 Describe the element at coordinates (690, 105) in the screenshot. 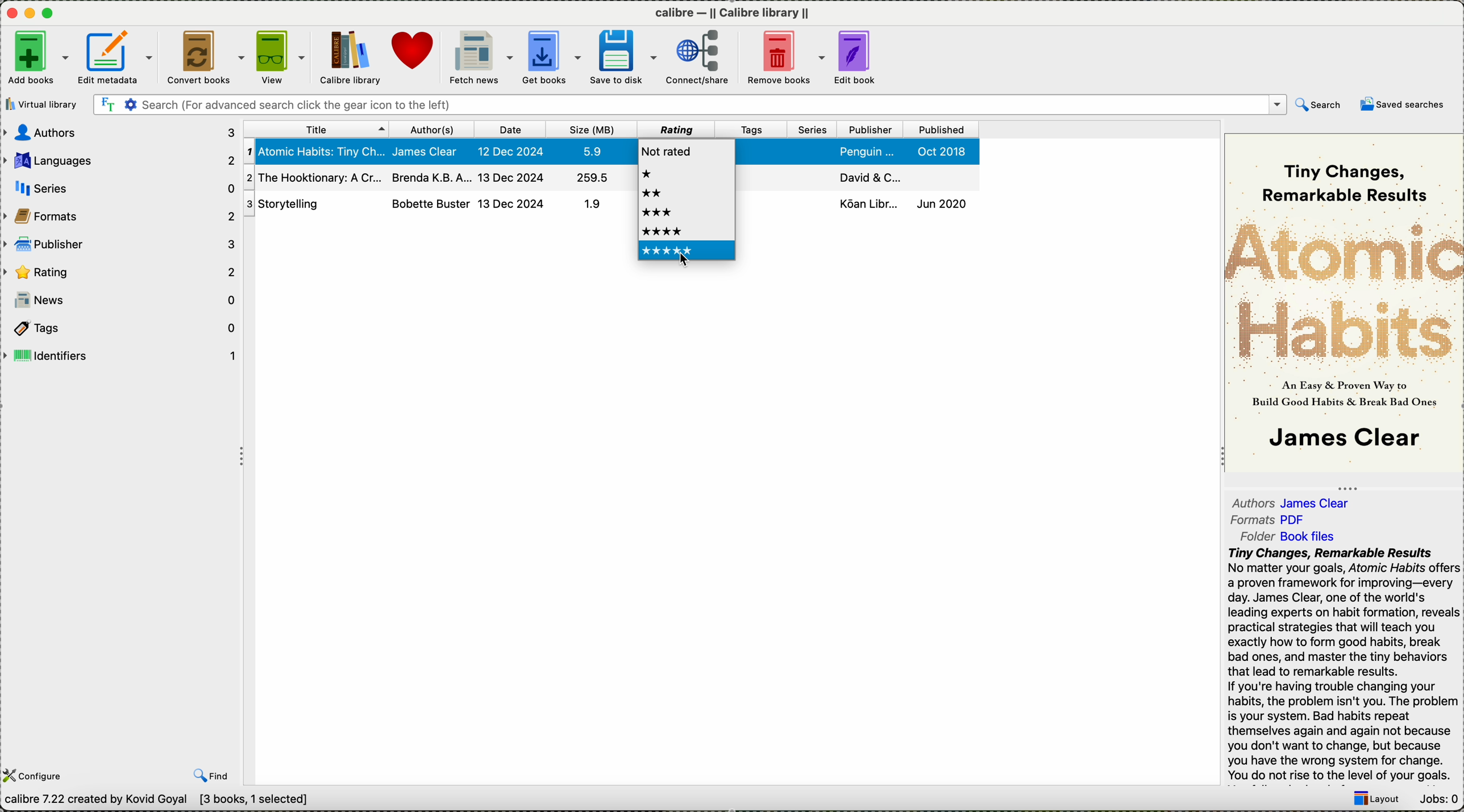

I see `search(for advanced search click the gear icon to the left` at that location.